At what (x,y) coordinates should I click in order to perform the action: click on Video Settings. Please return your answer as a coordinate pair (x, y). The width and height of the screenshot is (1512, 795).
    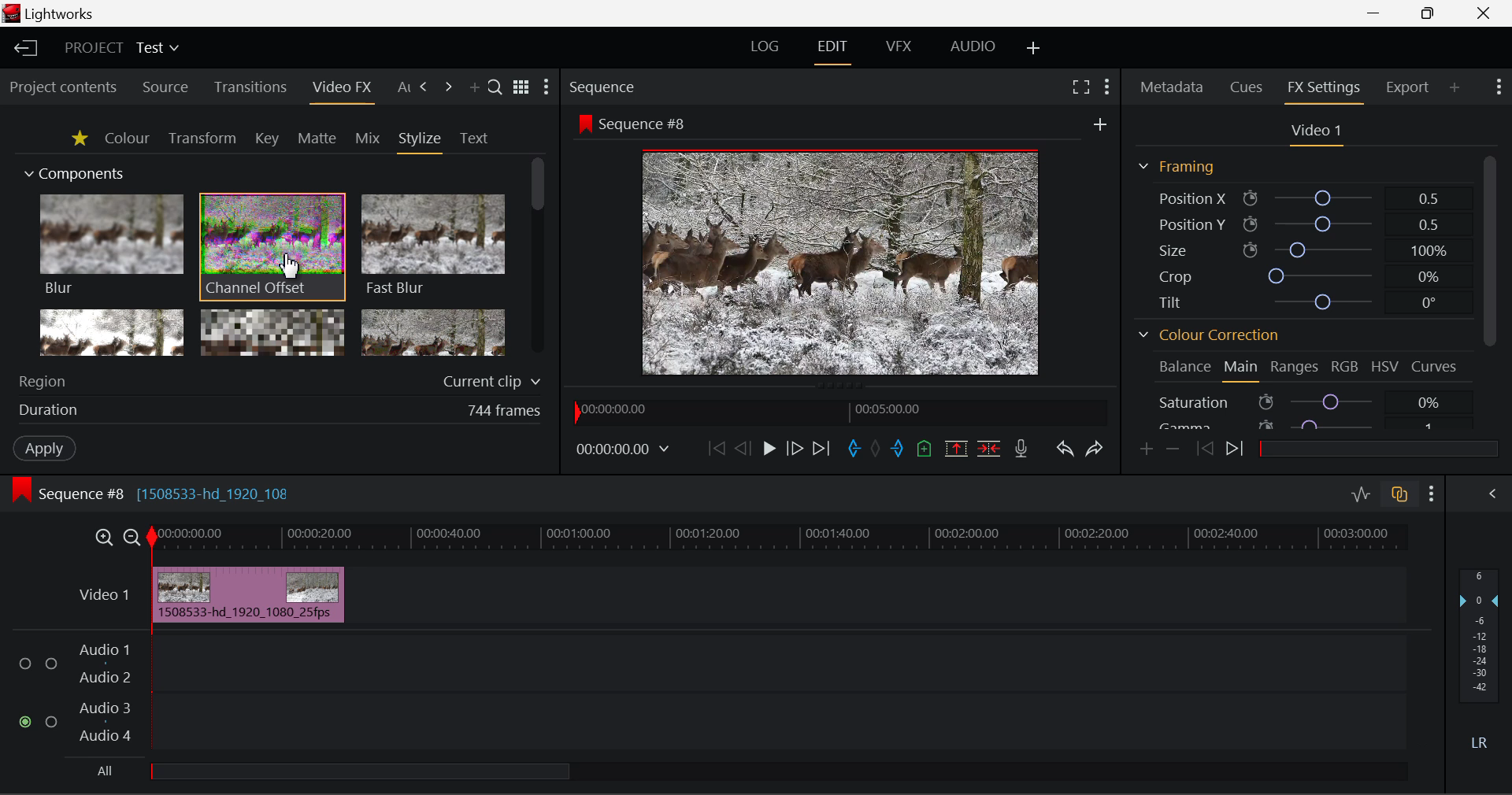
    Looking at the image, I should click on (1314, 134).